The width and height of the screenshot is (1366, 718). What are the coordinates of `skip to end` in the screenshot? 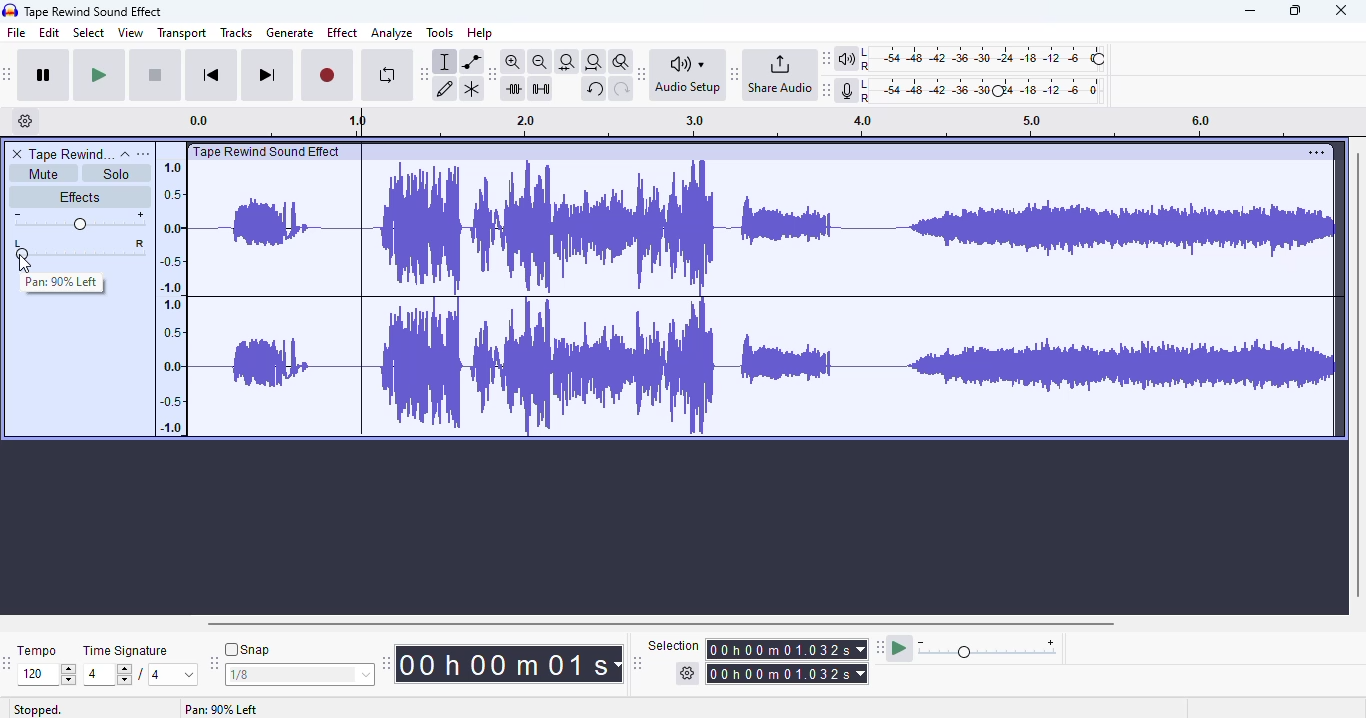 It's located at (266, 75).